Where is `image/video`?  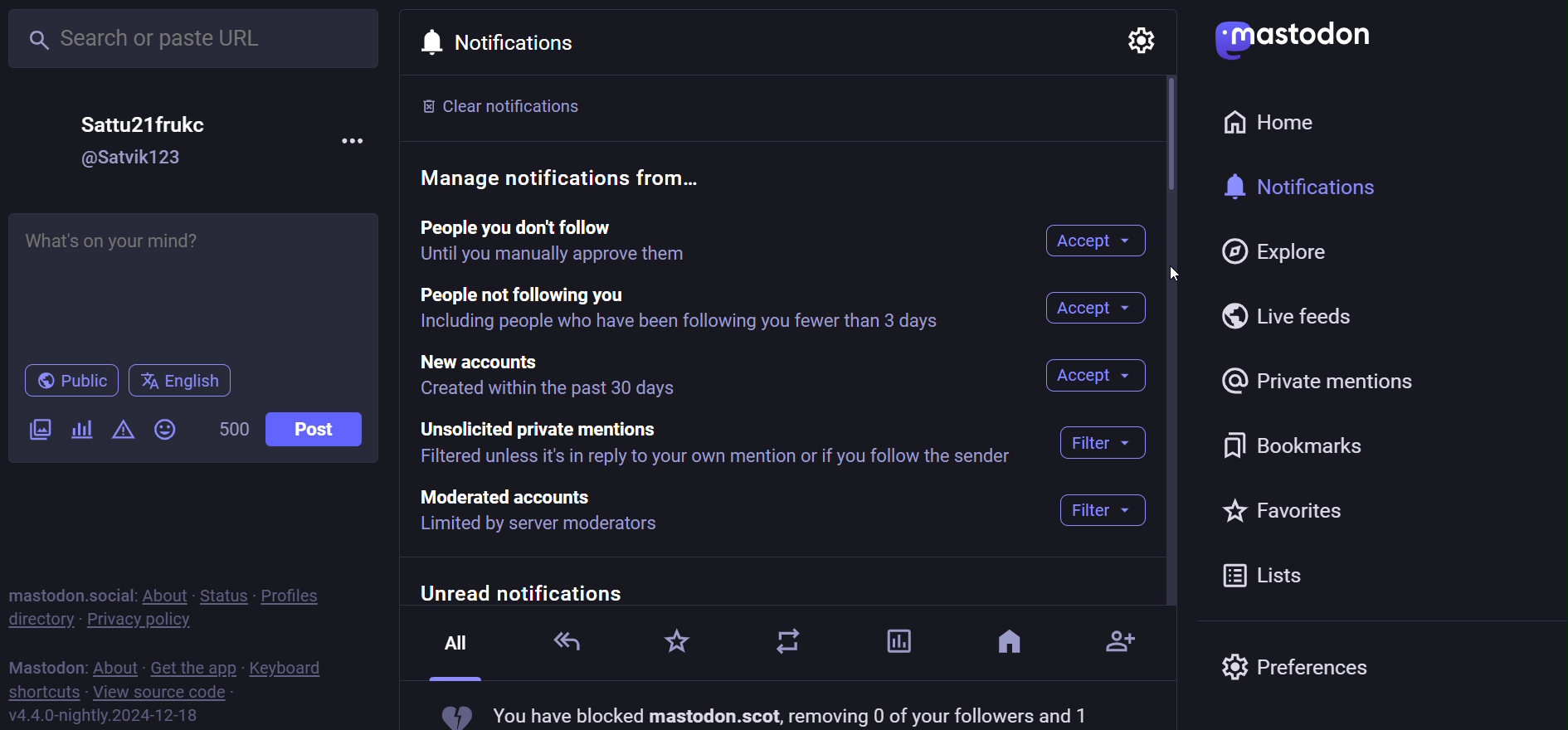 image/video is located at coordinates (38, 431).